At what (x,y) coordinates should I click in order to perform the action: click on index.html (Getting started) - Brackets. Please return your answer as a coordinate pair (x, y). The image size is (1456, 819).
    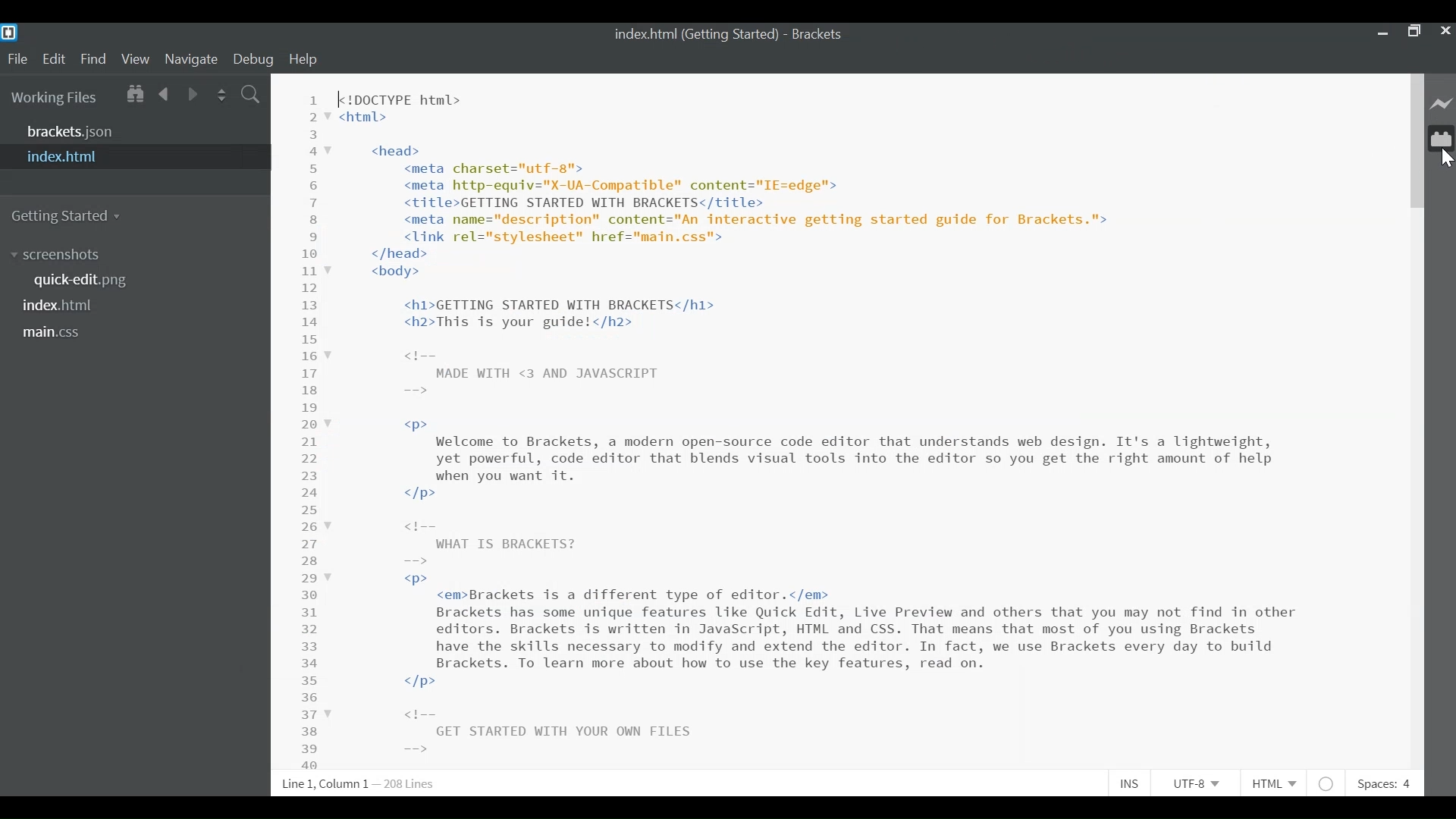
    Looking at the image, I should click on (729, 36).